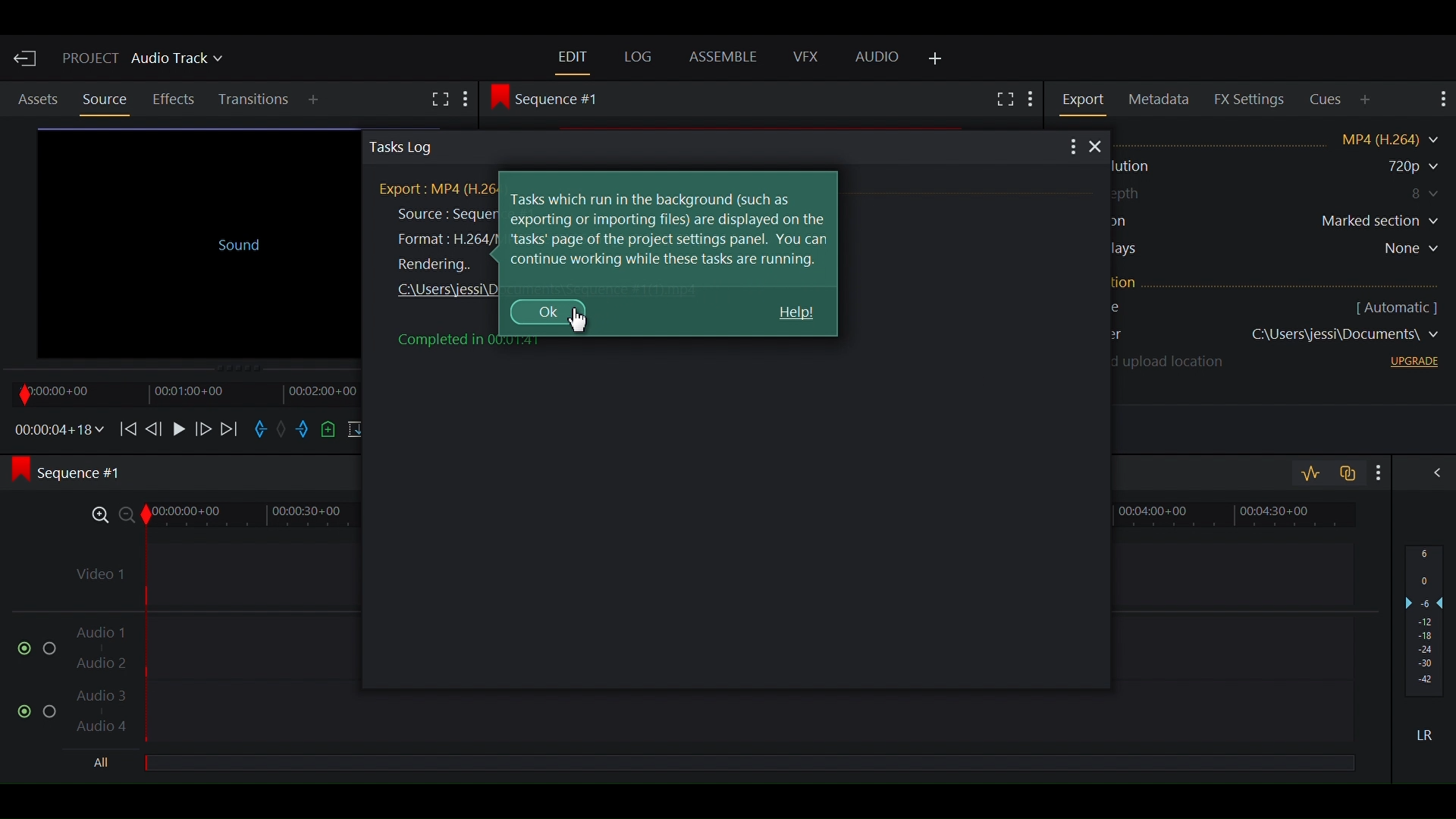 This screenshot has height=819, width=1456. I want to click on OK, so click(544, 312).